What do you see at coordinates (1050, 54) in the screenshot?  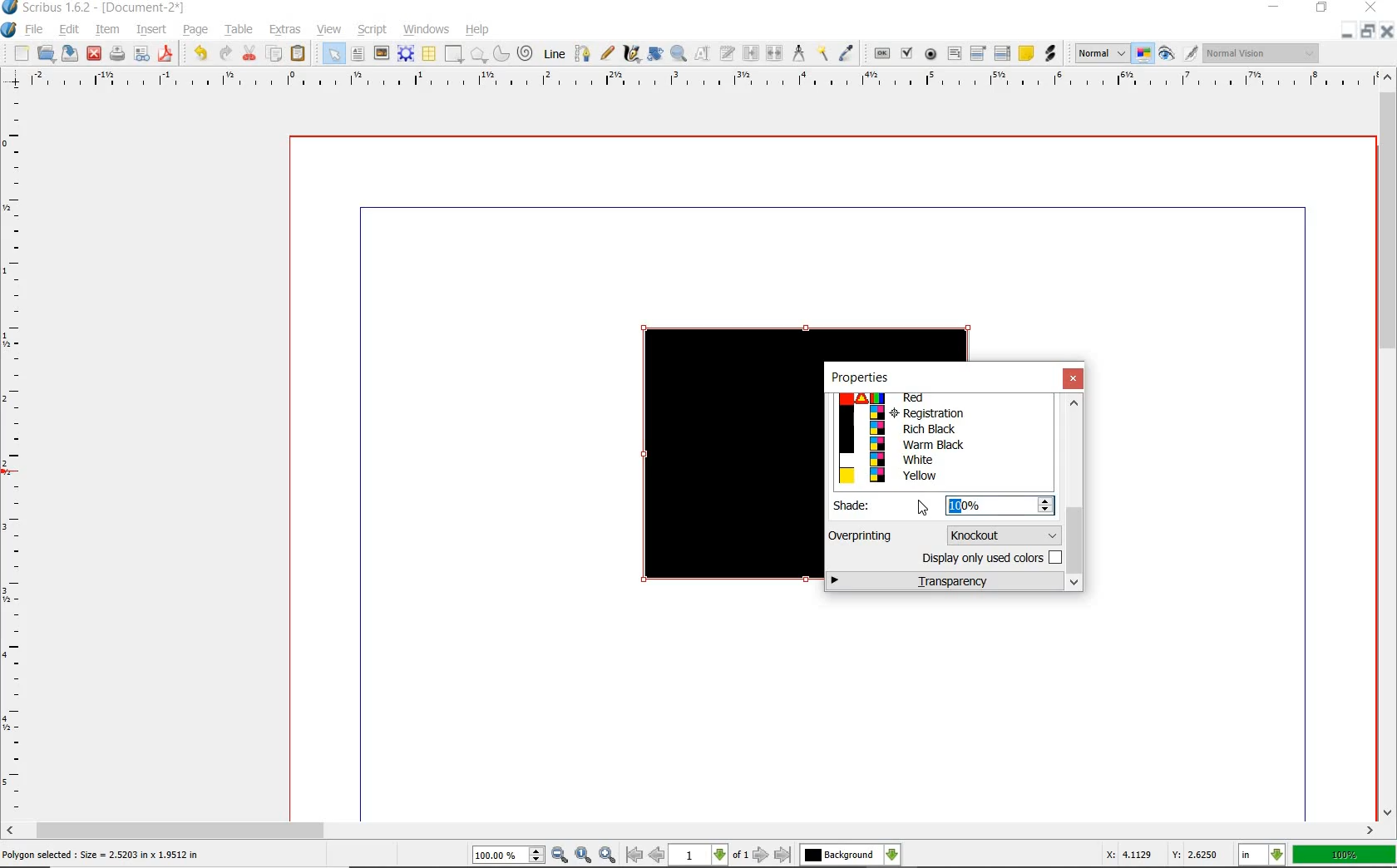 I see `link annotation` at bounding box center [1050, 54].